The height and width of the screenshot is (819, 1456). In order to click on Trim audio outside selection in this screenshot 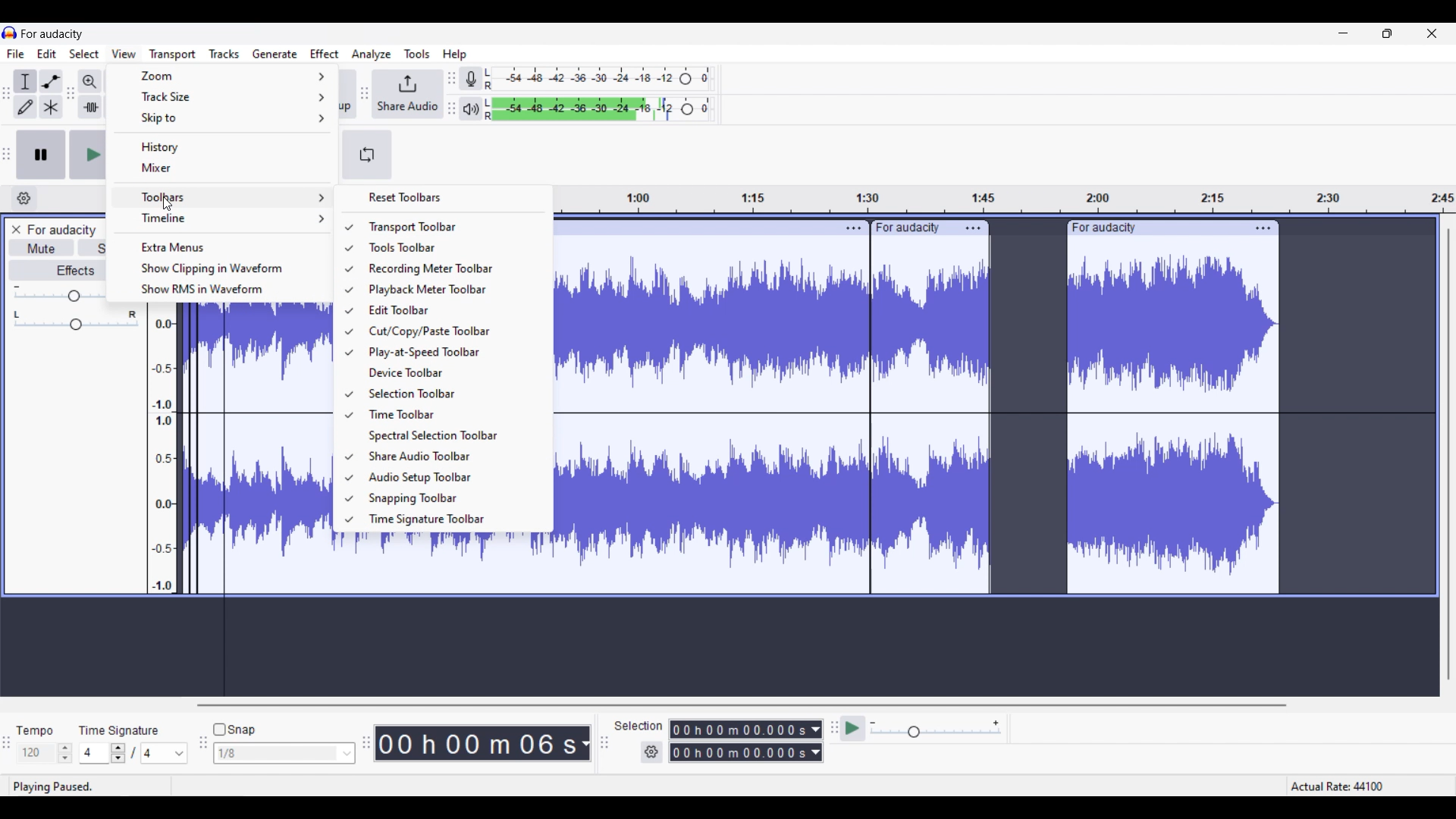, I will do `click(90, 107)`.